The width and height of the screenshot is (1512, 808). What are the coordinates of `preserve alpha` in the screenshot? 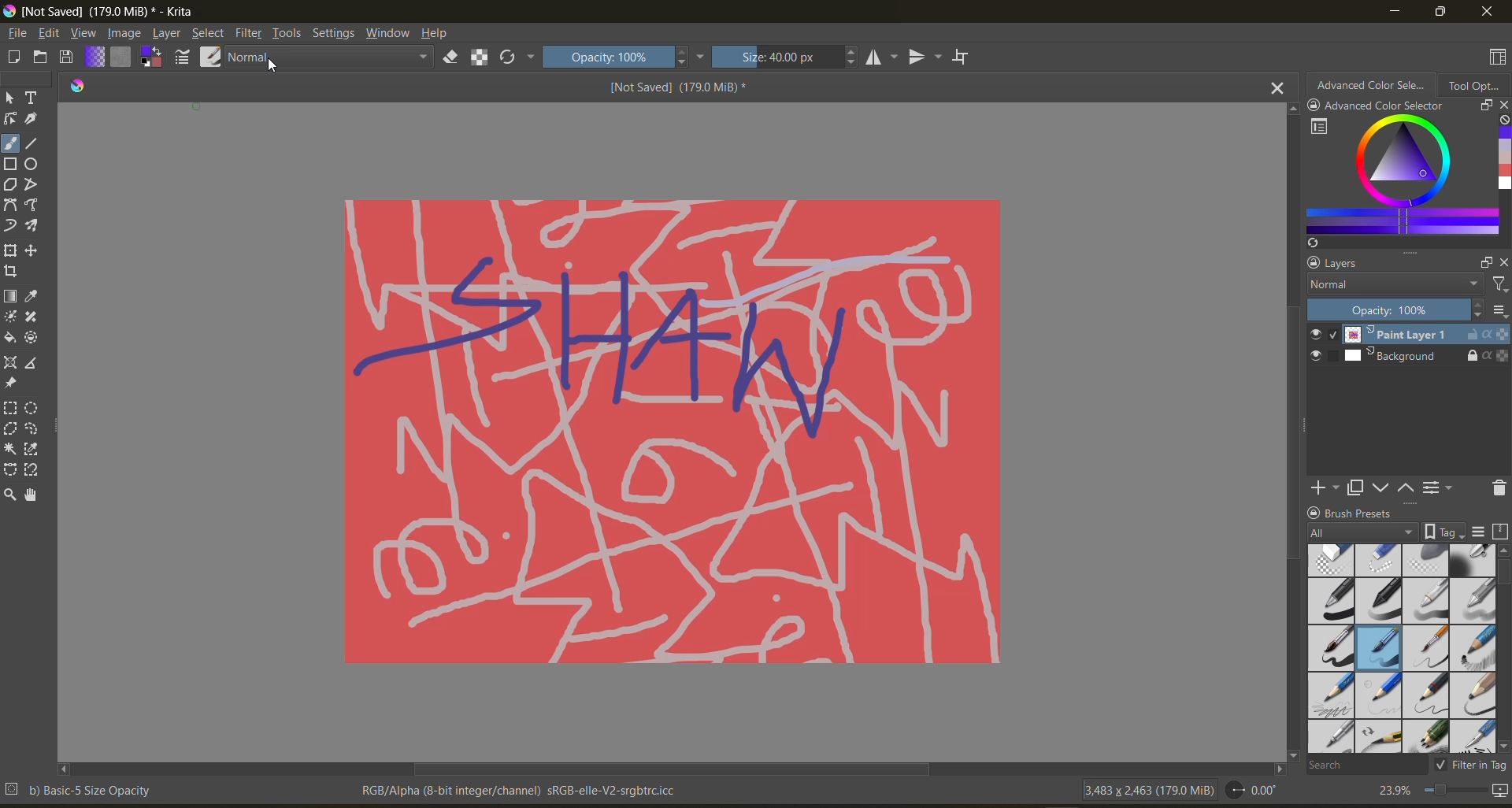 It's located at (483, 59).